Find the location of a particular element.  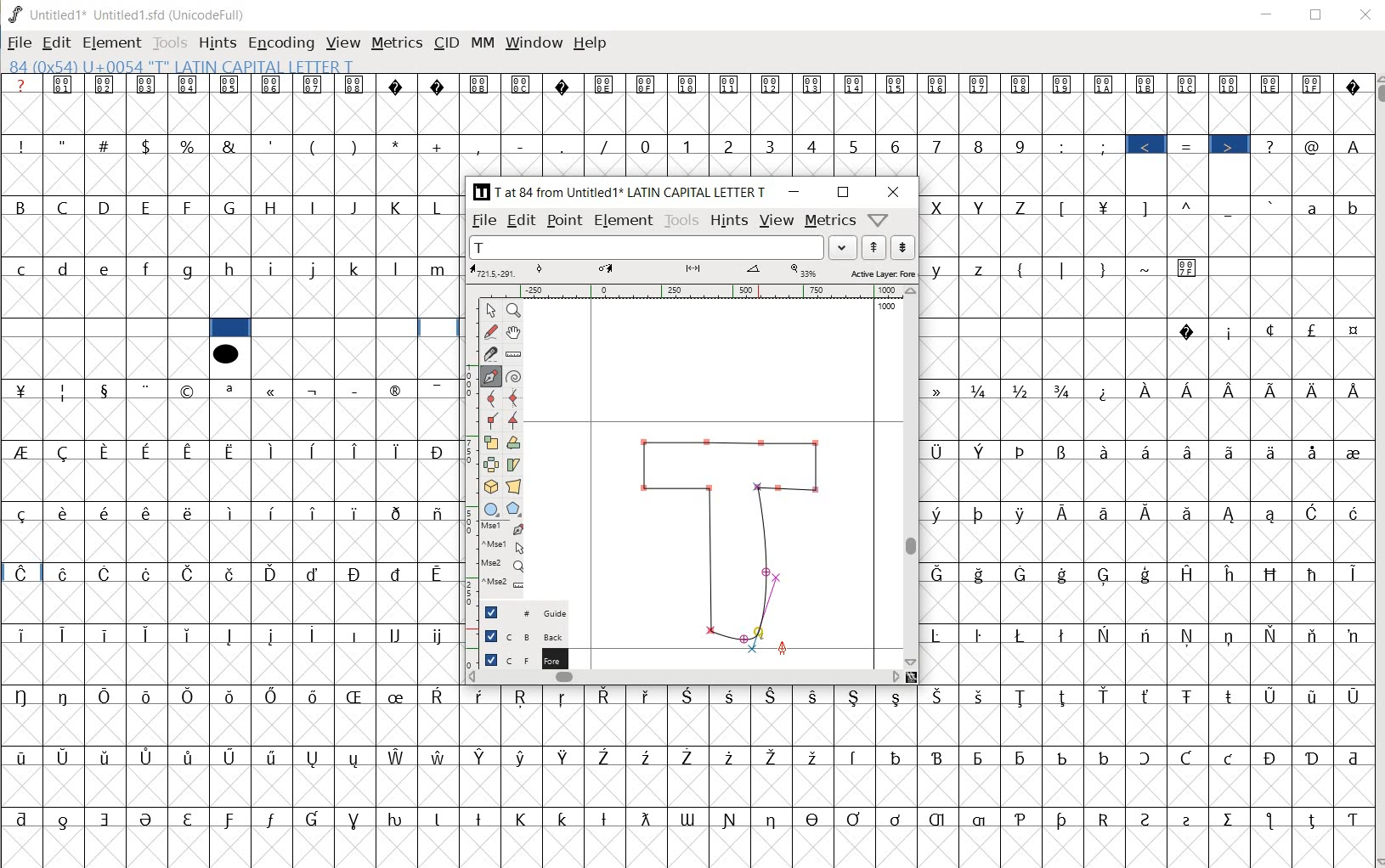

Symbol is located at coordinates (1025, 574).